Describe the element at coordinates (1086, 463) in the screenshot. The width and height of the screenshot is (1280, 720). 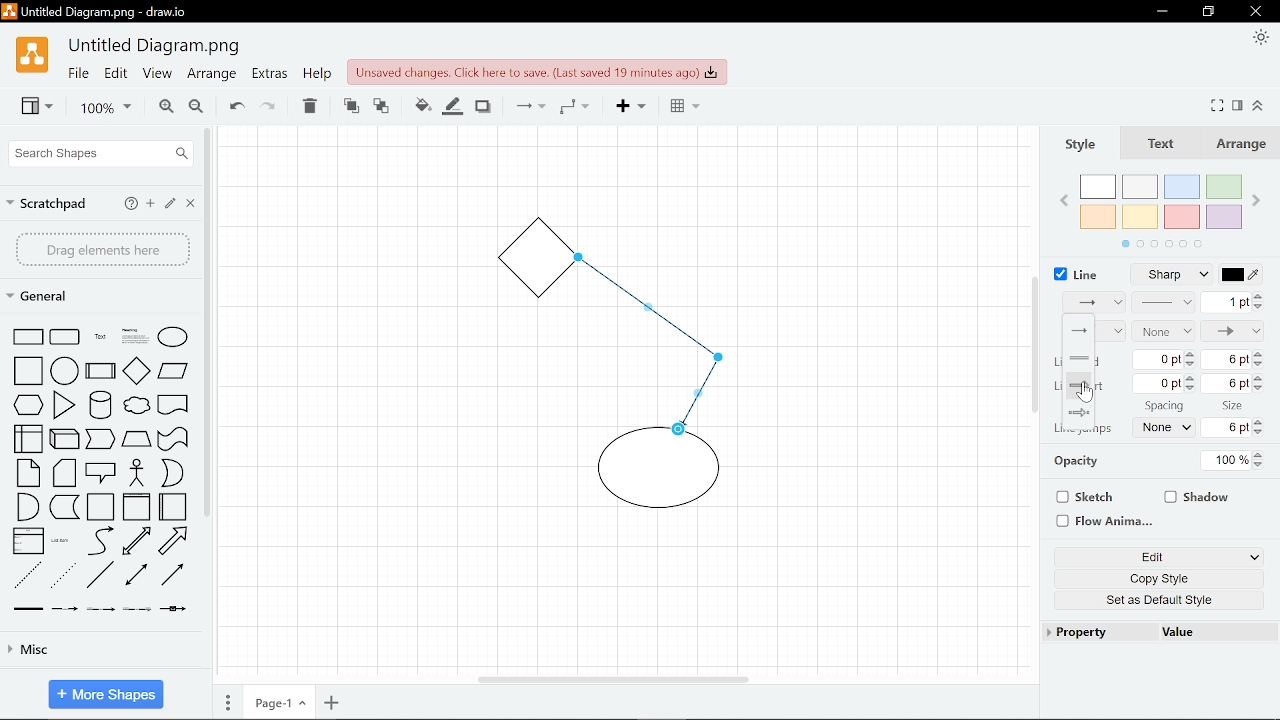
I see `opacity` at that location.